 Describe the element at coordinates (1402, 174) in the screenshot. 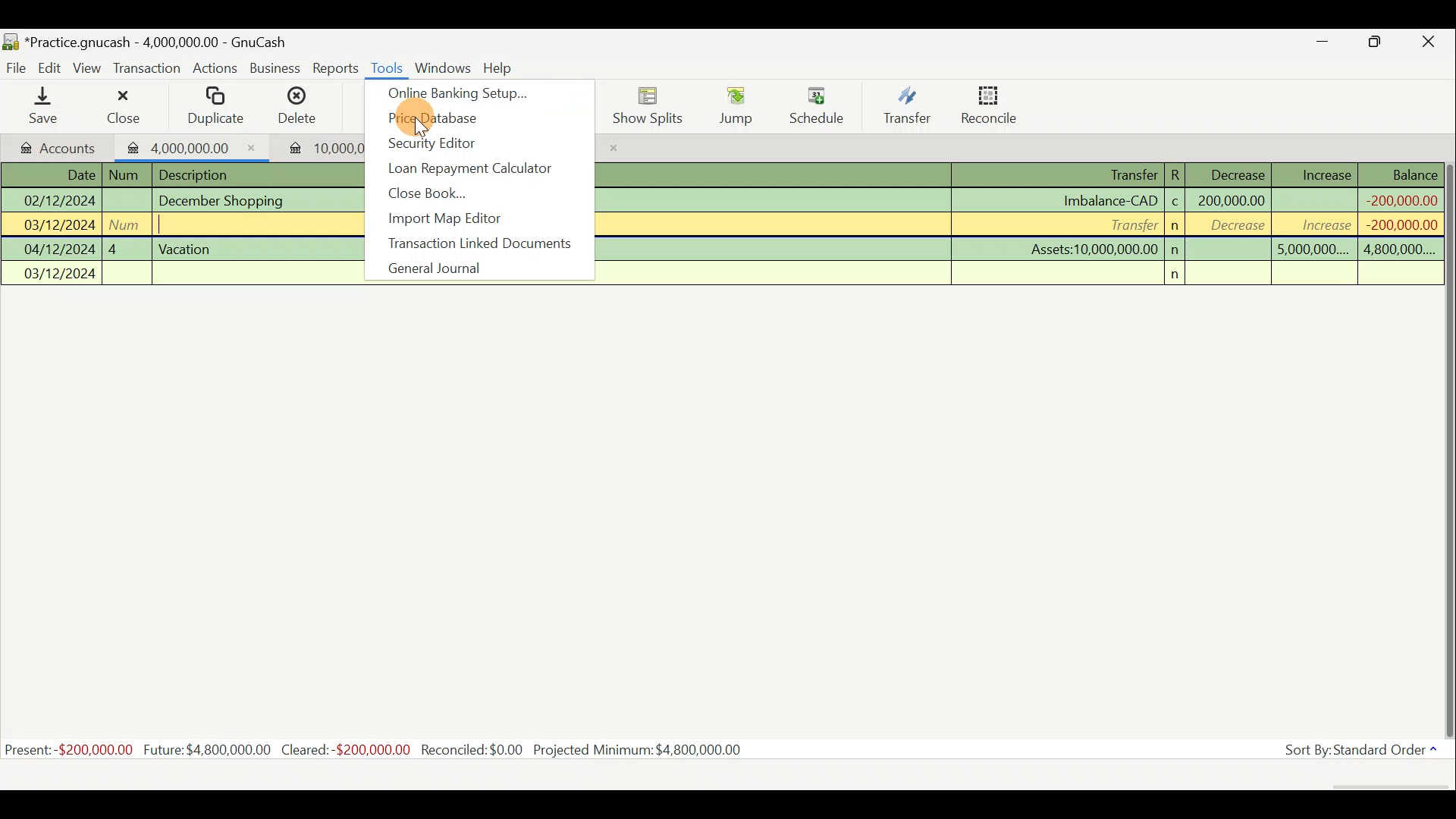

I see `Balance` at that location.